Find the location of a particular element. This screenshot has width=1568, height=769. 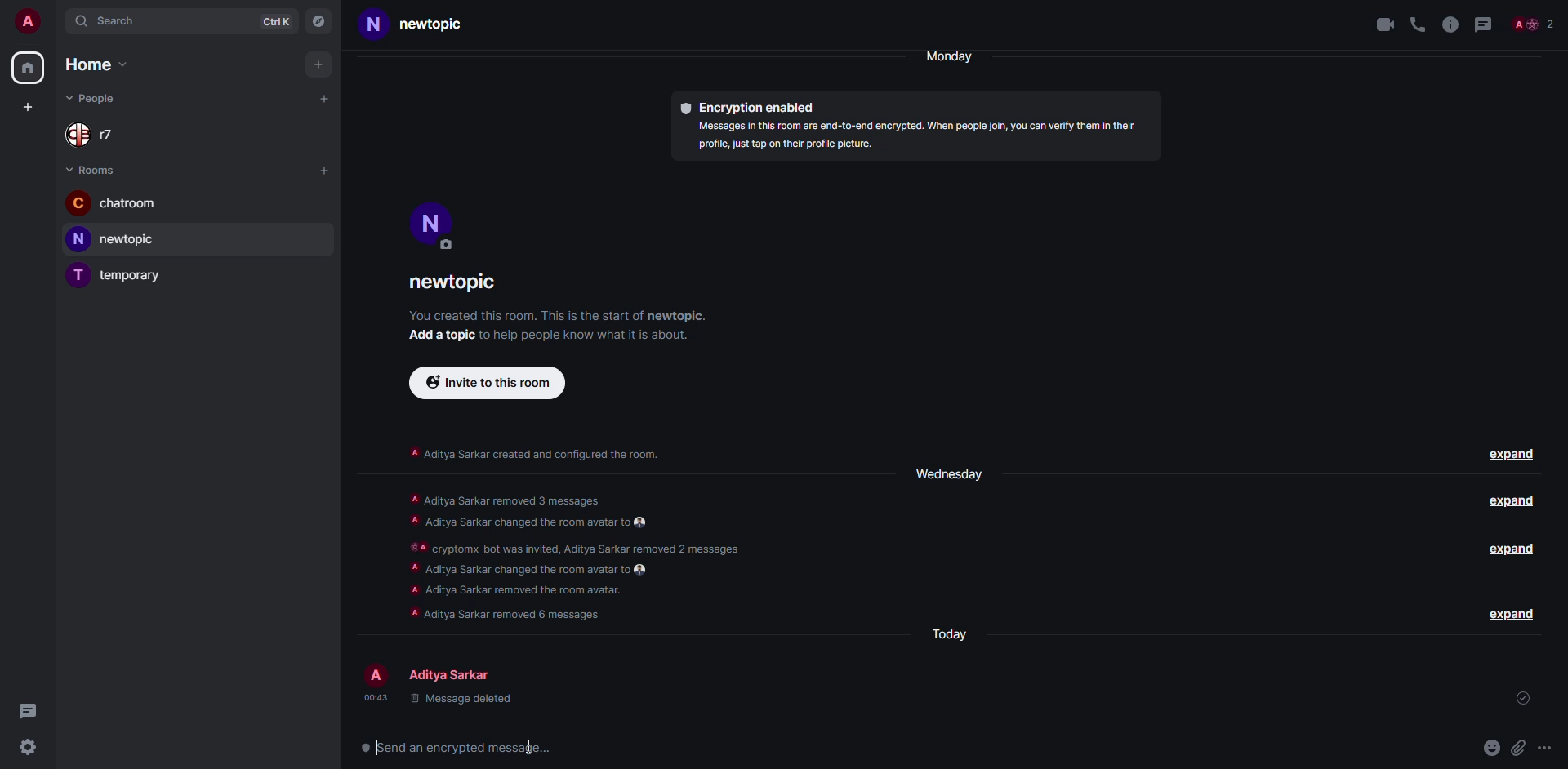

encryption enabled is located at coordinates (751, 109).